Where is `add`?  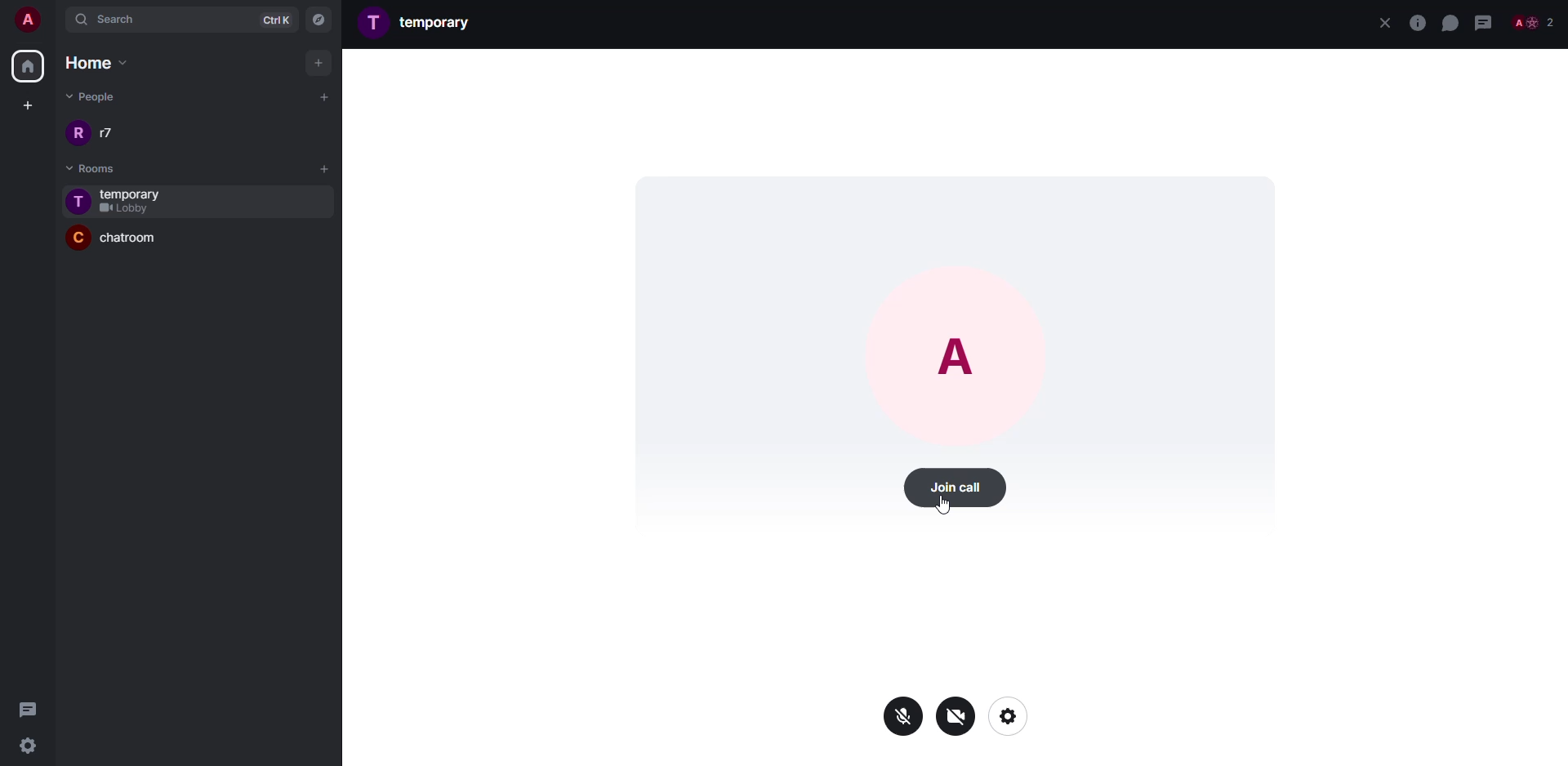 add is located at coordinates (320, 62).